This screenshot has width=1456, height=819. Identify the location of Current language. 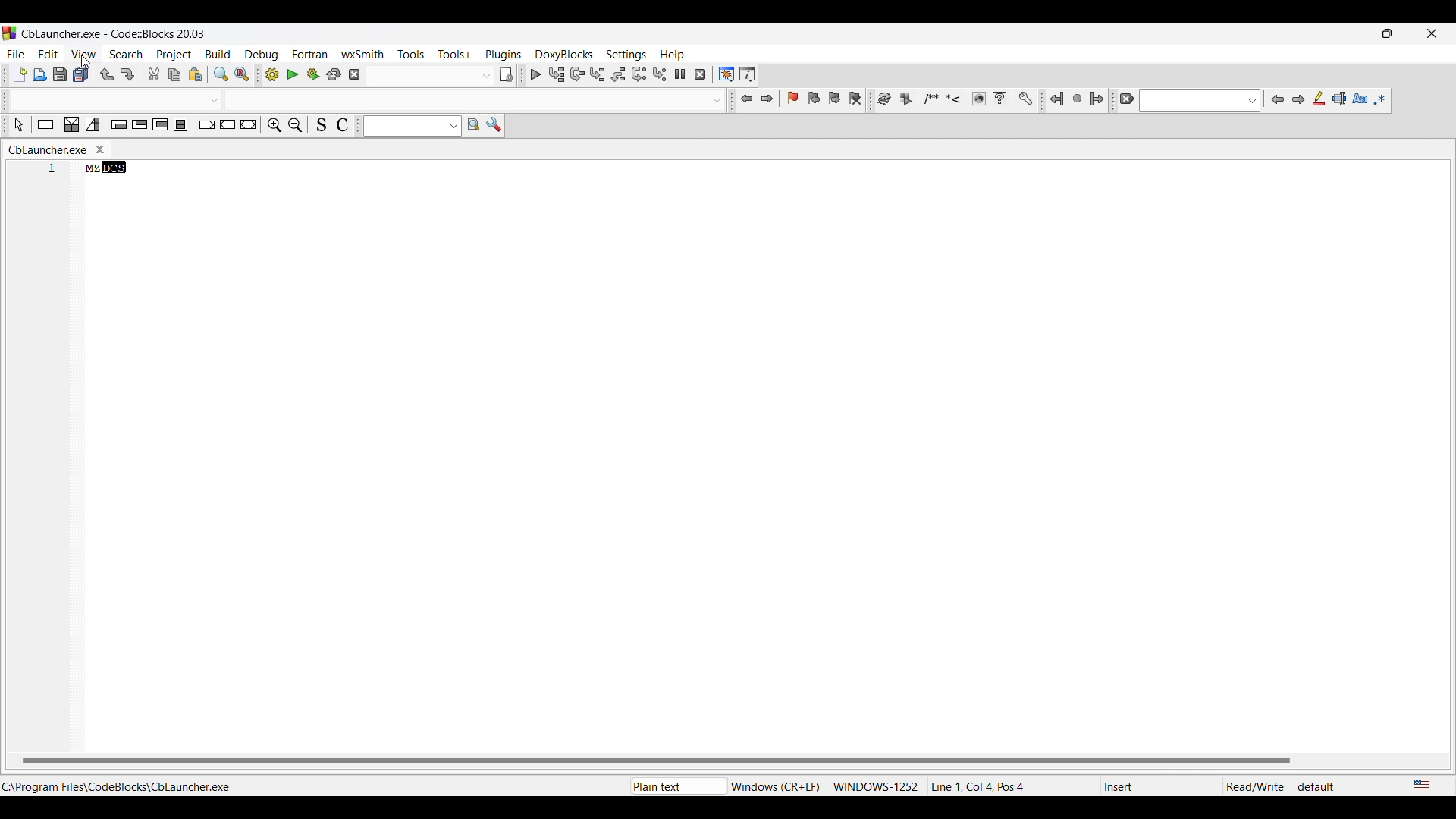
(1423, 786).